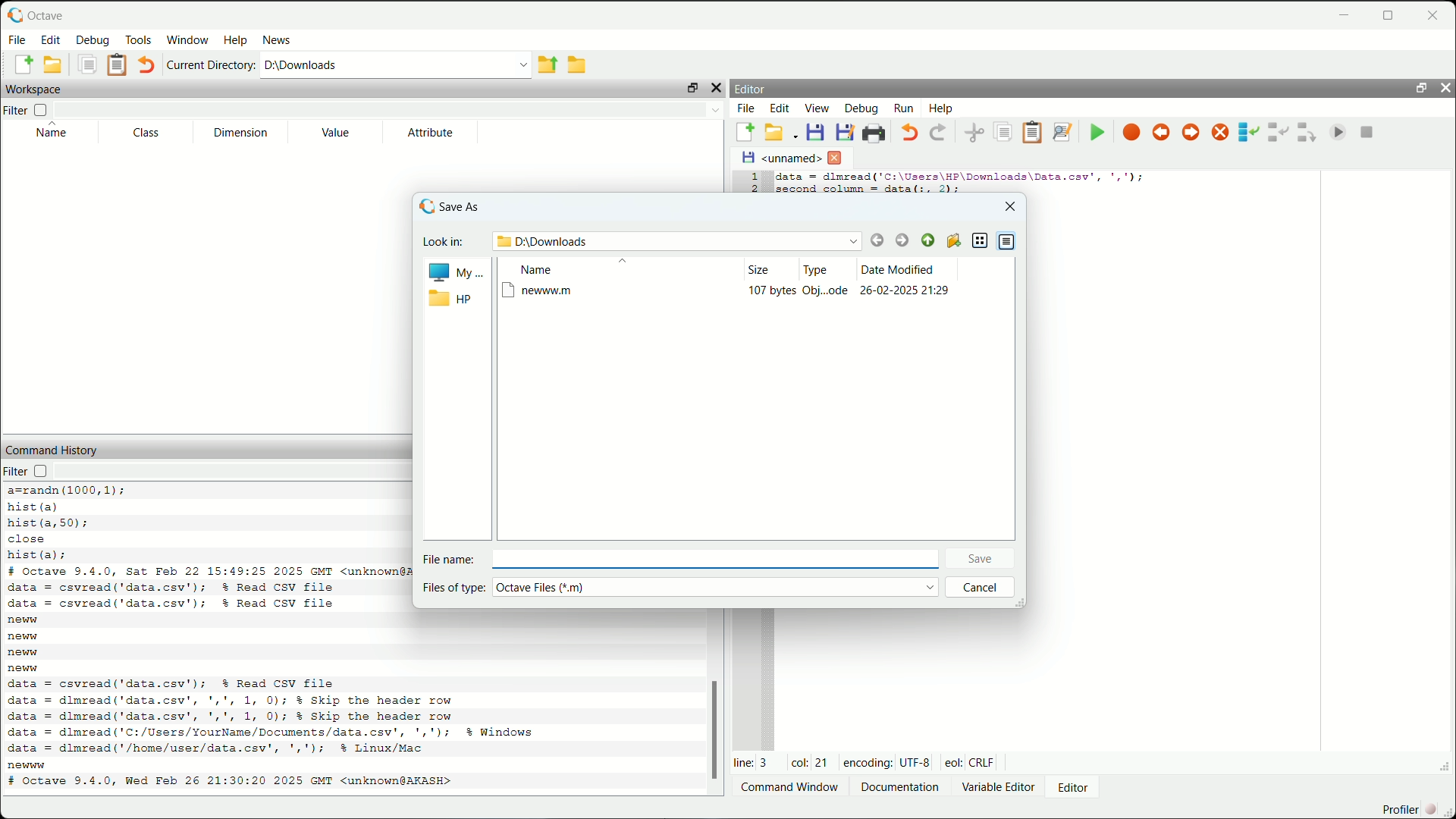 This screenshot has height=819, width=1456. Describe the element at coordinates (1000, 786) in the screenshot. I see `variable editor` at that location.